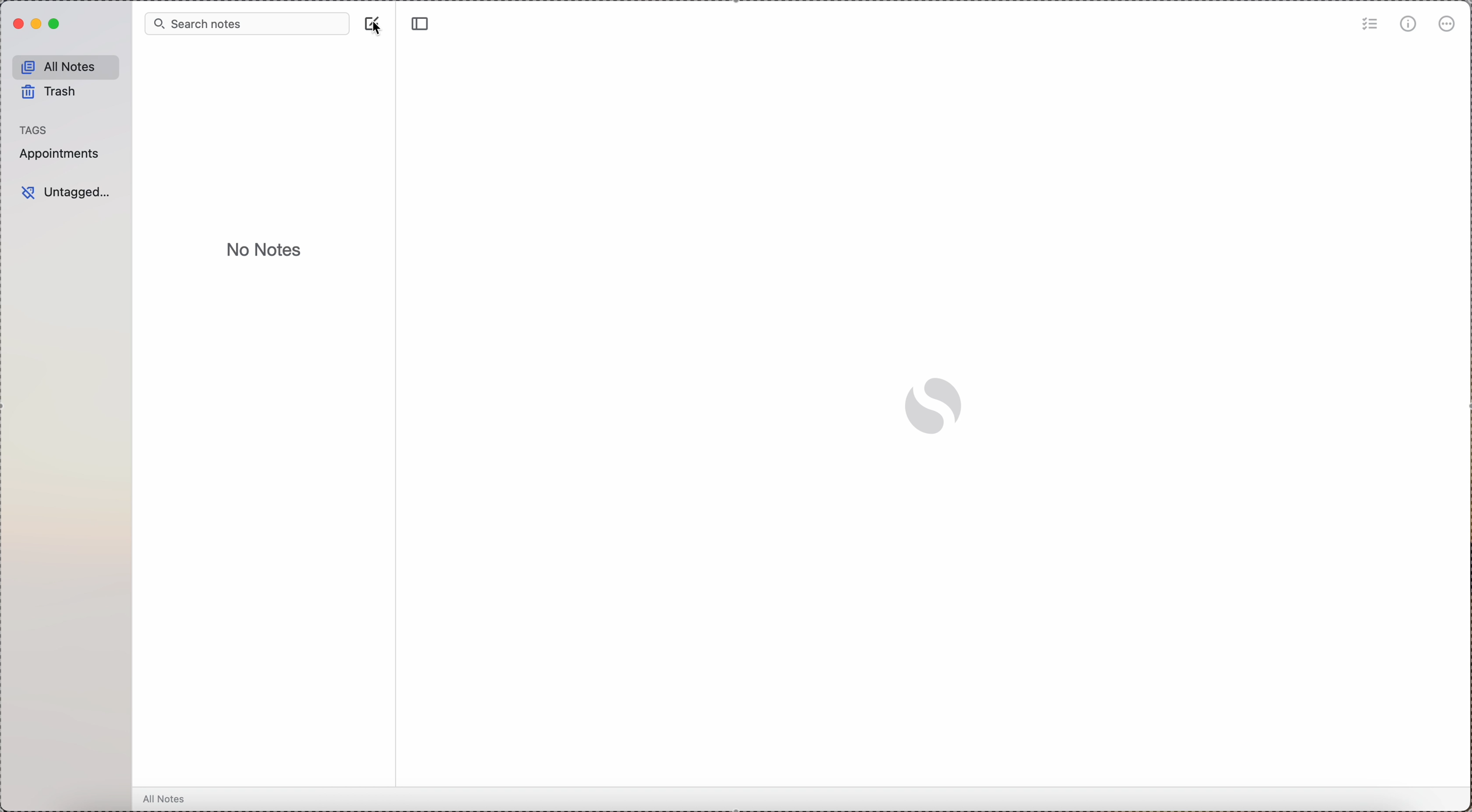  What do you see at coordinates (66, 65) in the screenshot?
I see `all notes` at bounding box center [66, 65].